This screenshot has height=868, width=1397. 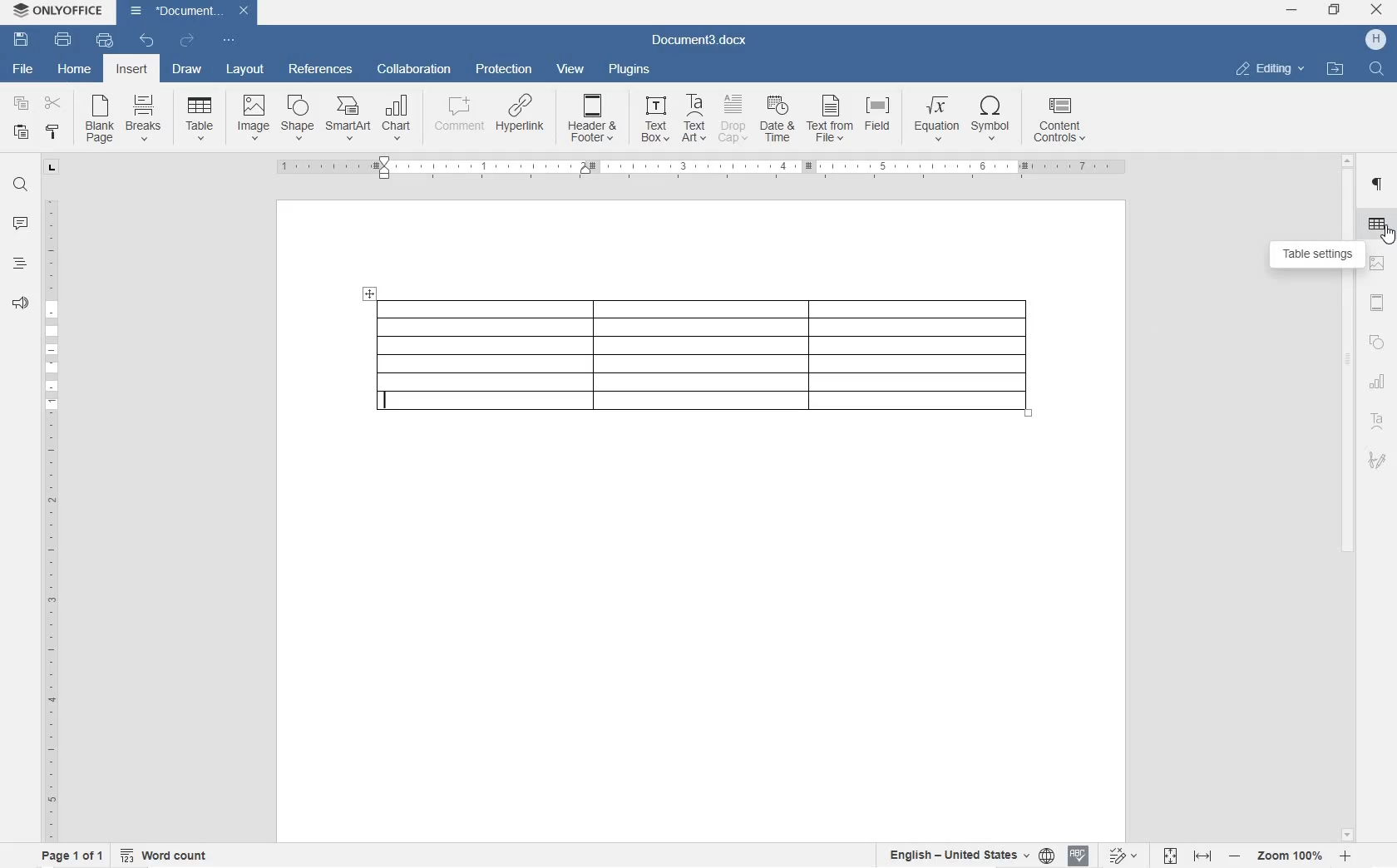 I want to click on CONTENT CONTROLS, so click(x=1069, y=122).